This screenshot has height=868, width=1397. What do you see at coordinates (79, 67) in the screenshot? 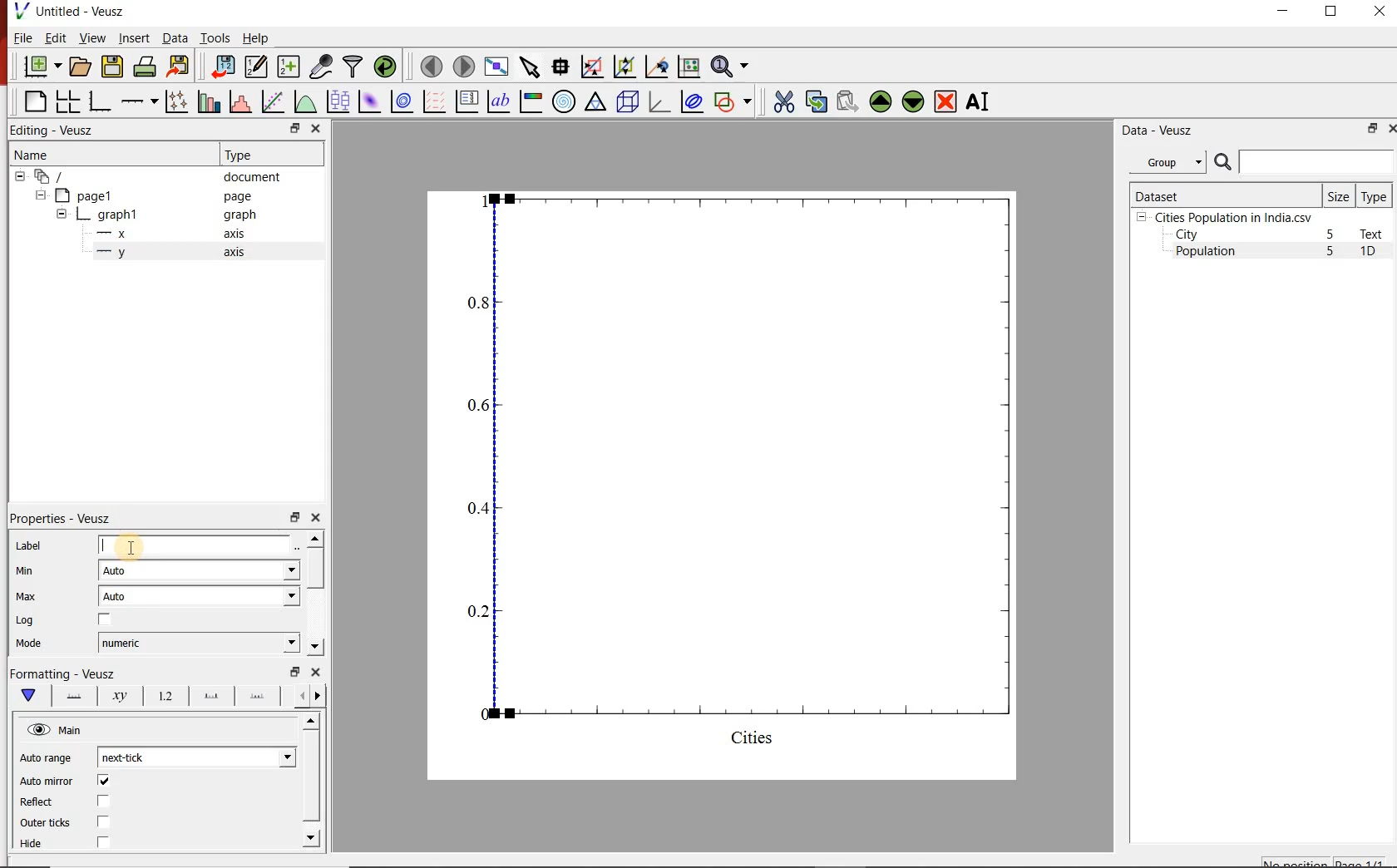
I see `open a document` at bounding box center [79, 67].